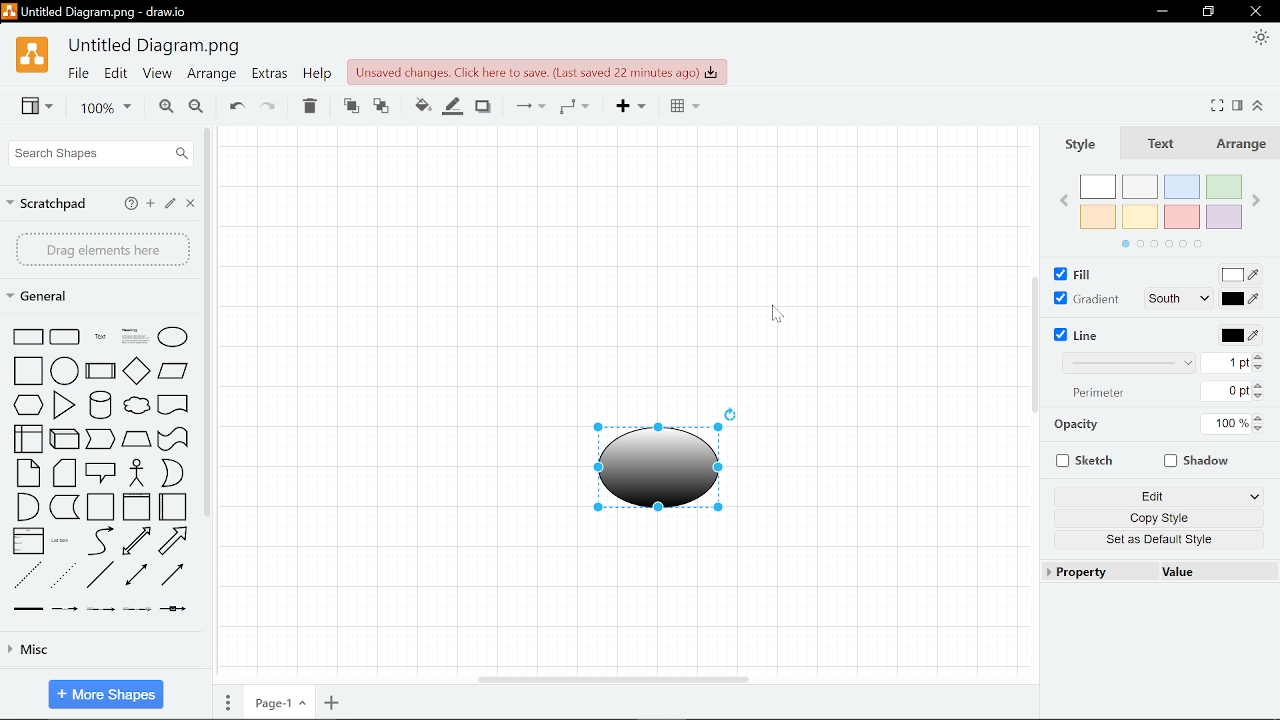  What do you see at coordinates (228, 700) in the screenshot?
I see `Pages` at bounding box center [228, 700].